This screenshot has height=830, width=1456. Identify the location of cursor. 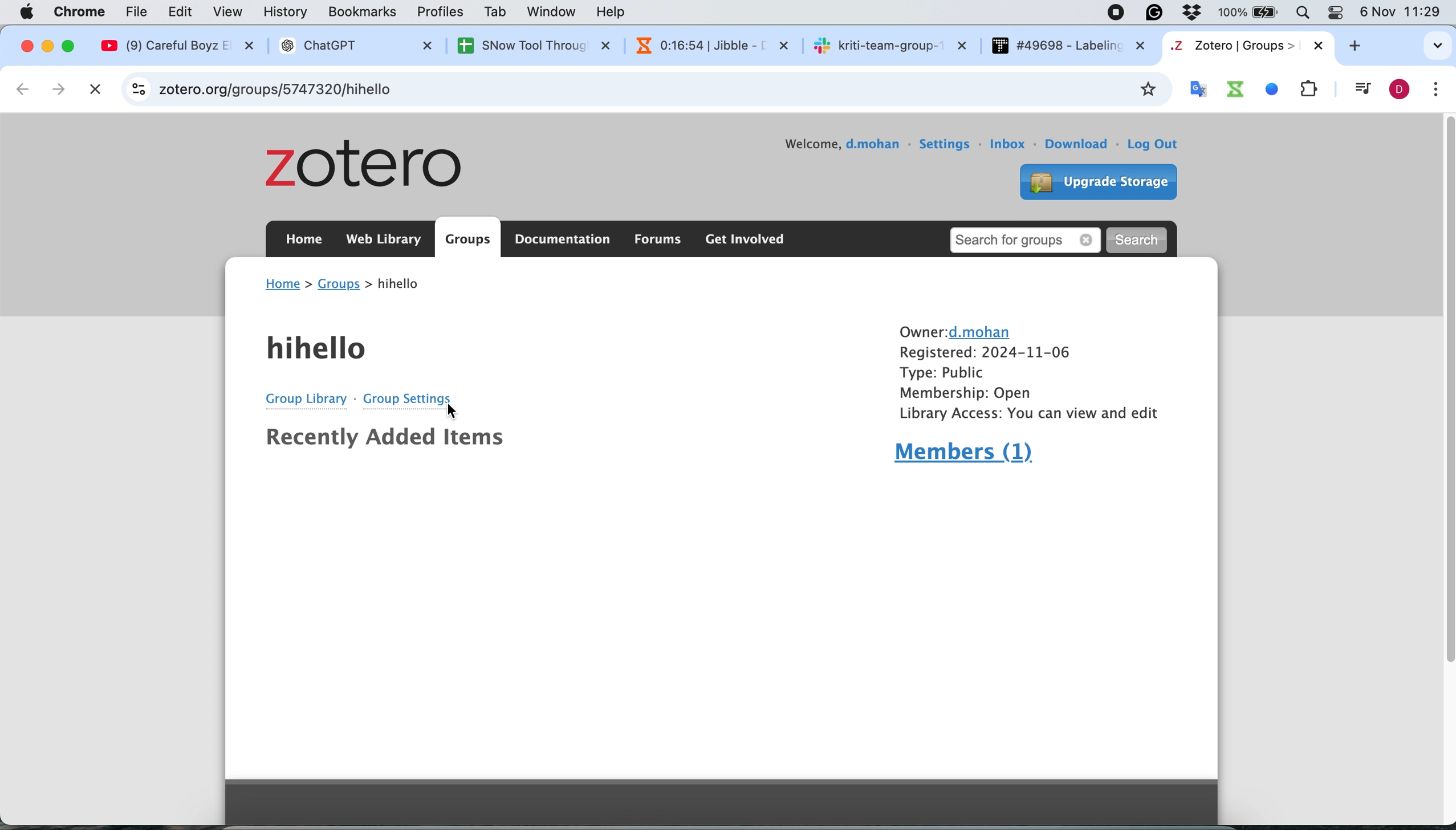
(456, 410).